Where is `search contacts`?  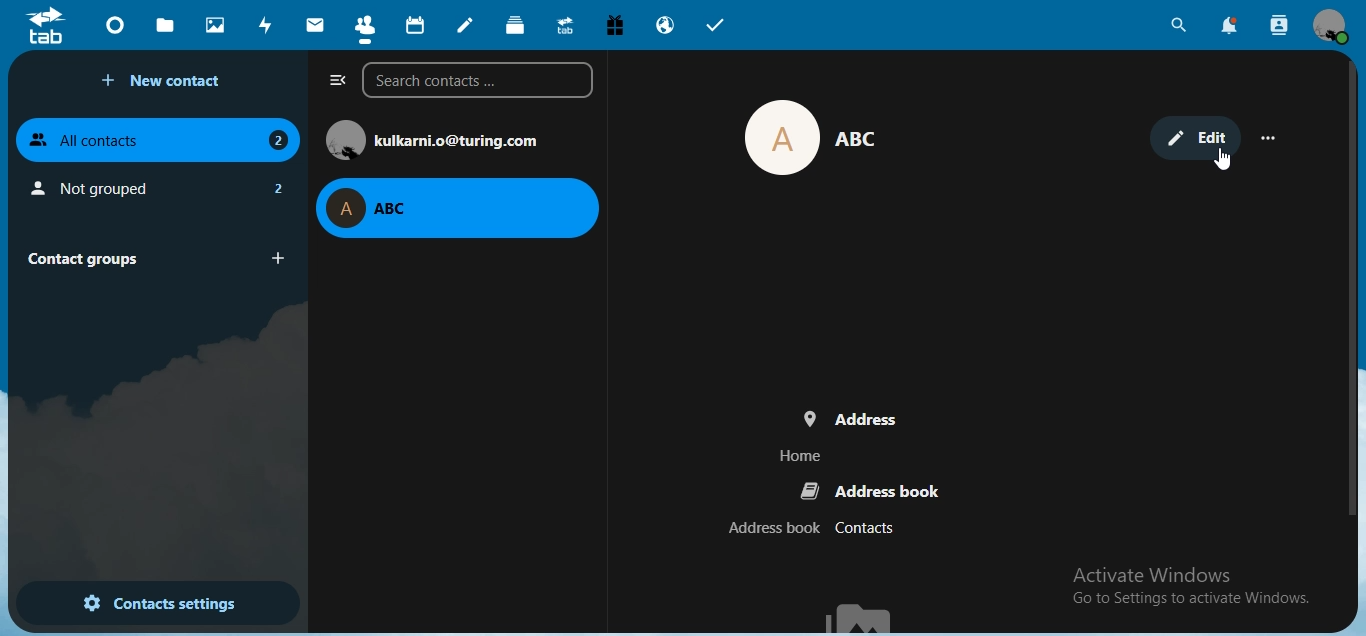
search contacts is located at coordinates (477, 81).